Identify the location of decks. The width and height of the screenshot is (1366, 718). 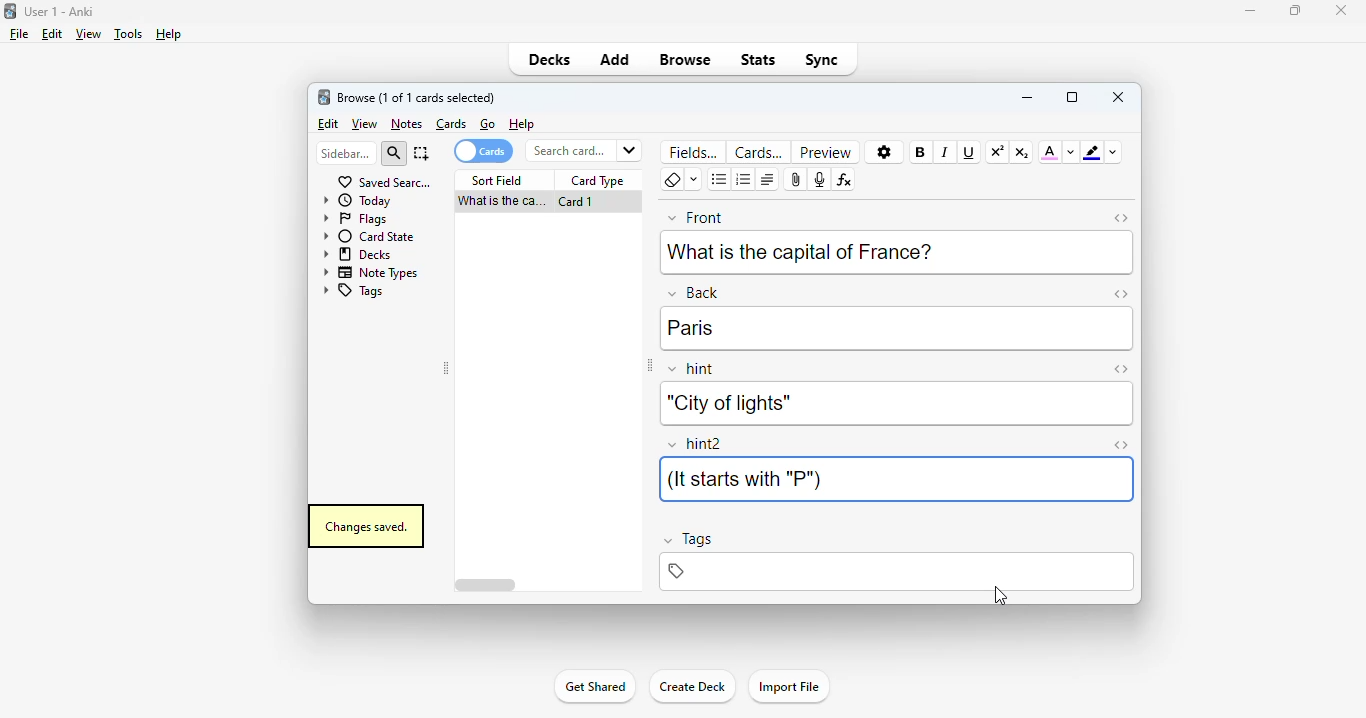
(359, 253).